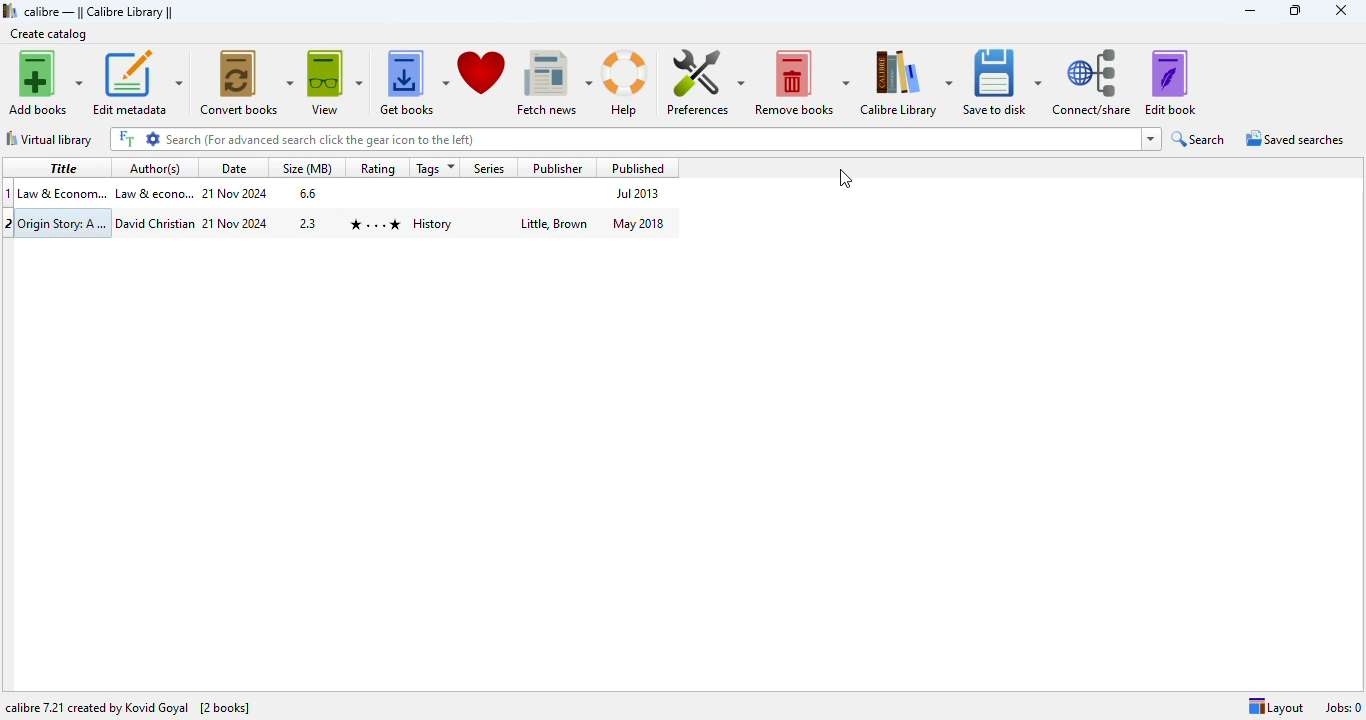 The width and height of the screenshot is (1366, 720). What do you see at coordinates (1341, 10) in the screenshot?
I see `close` at bounding box center [1341, 10].